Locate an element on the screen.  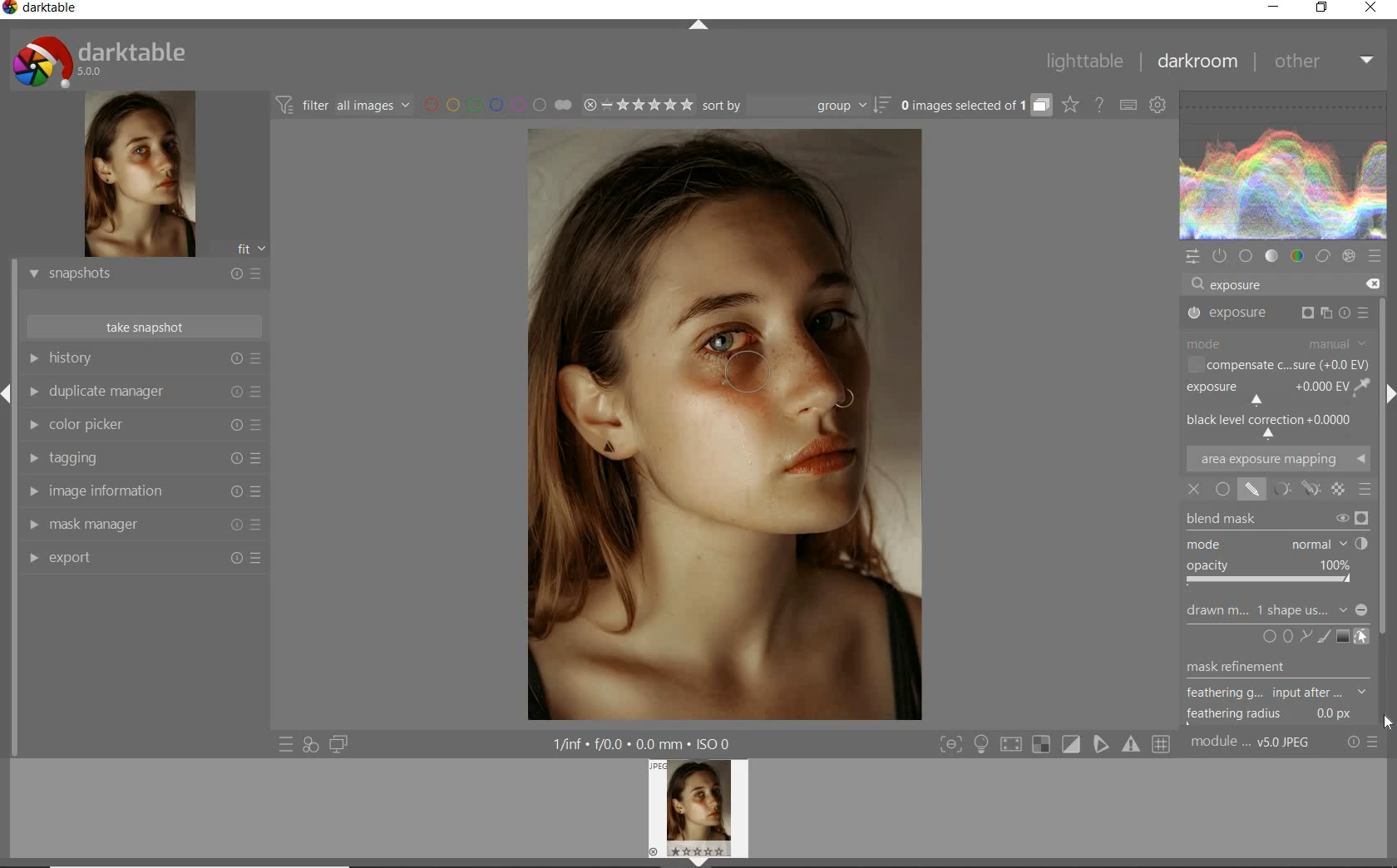
other is located at coordinates (1320, 62).